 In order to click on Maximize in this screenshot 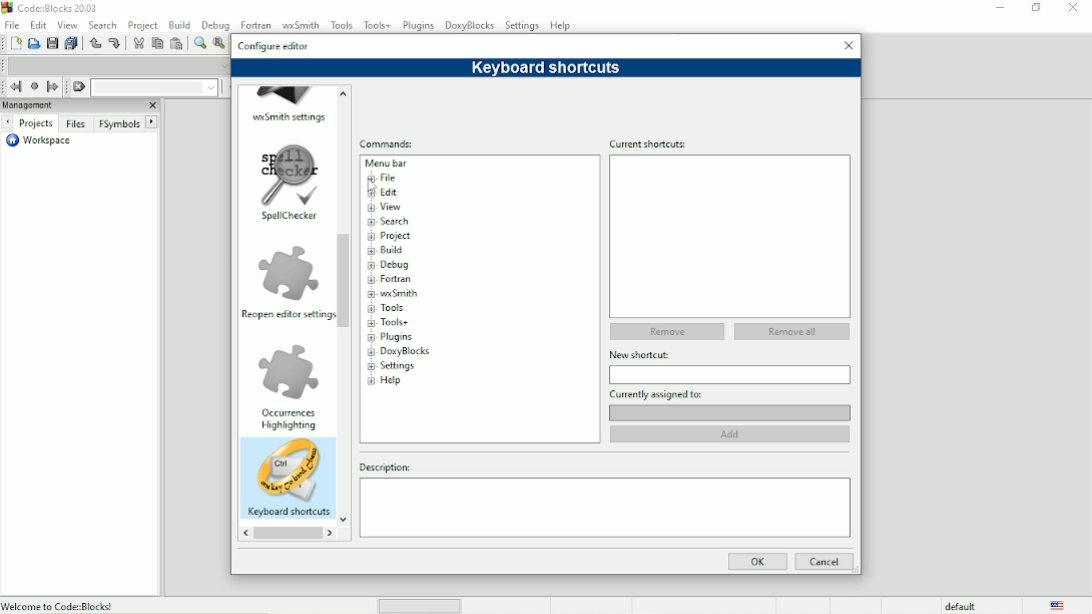, I will do `click(1035, 8)`.